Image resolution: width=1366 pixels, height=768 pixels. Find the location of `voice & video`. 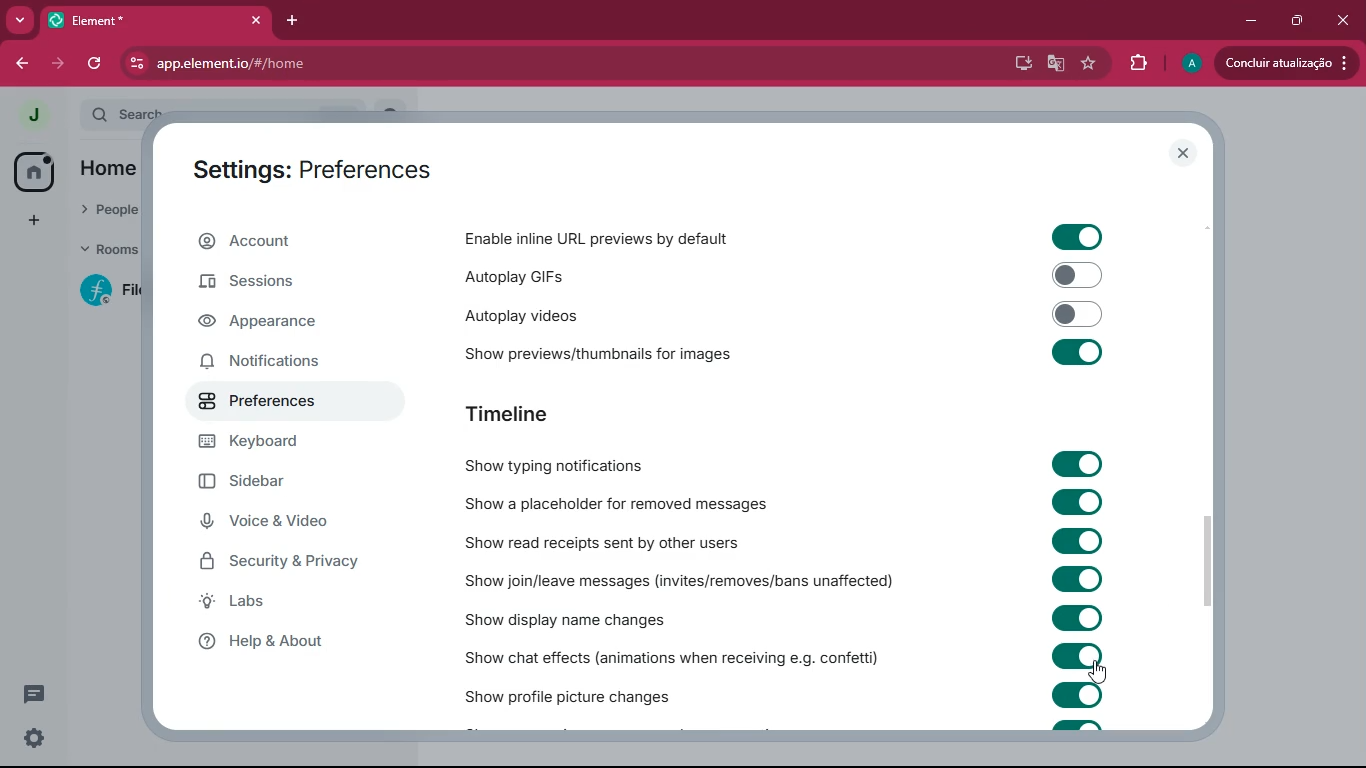

voice & video is located at coordinates (280, 524).